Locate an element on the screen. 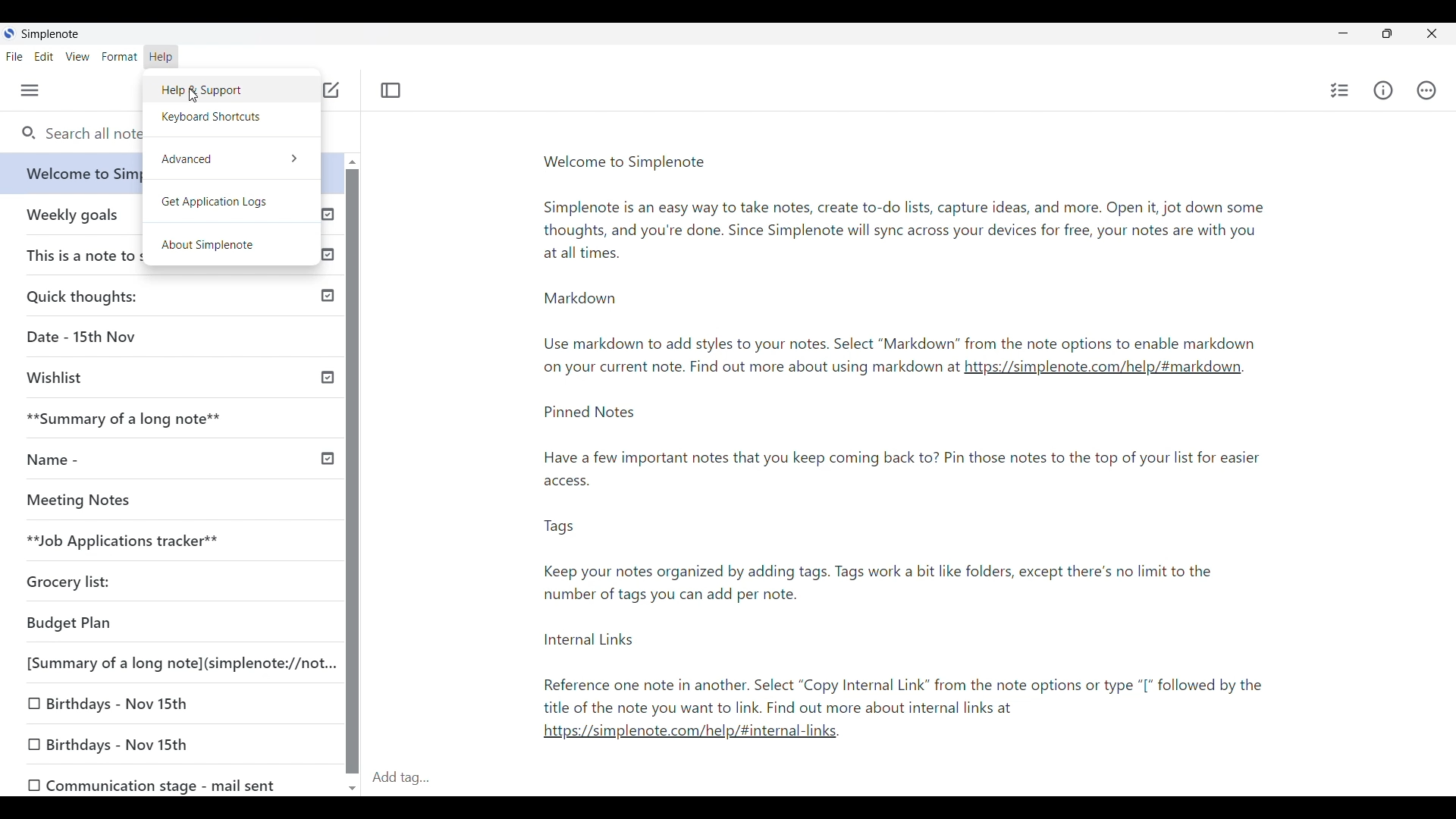  Click to add note is located at coordinates (331, 90).